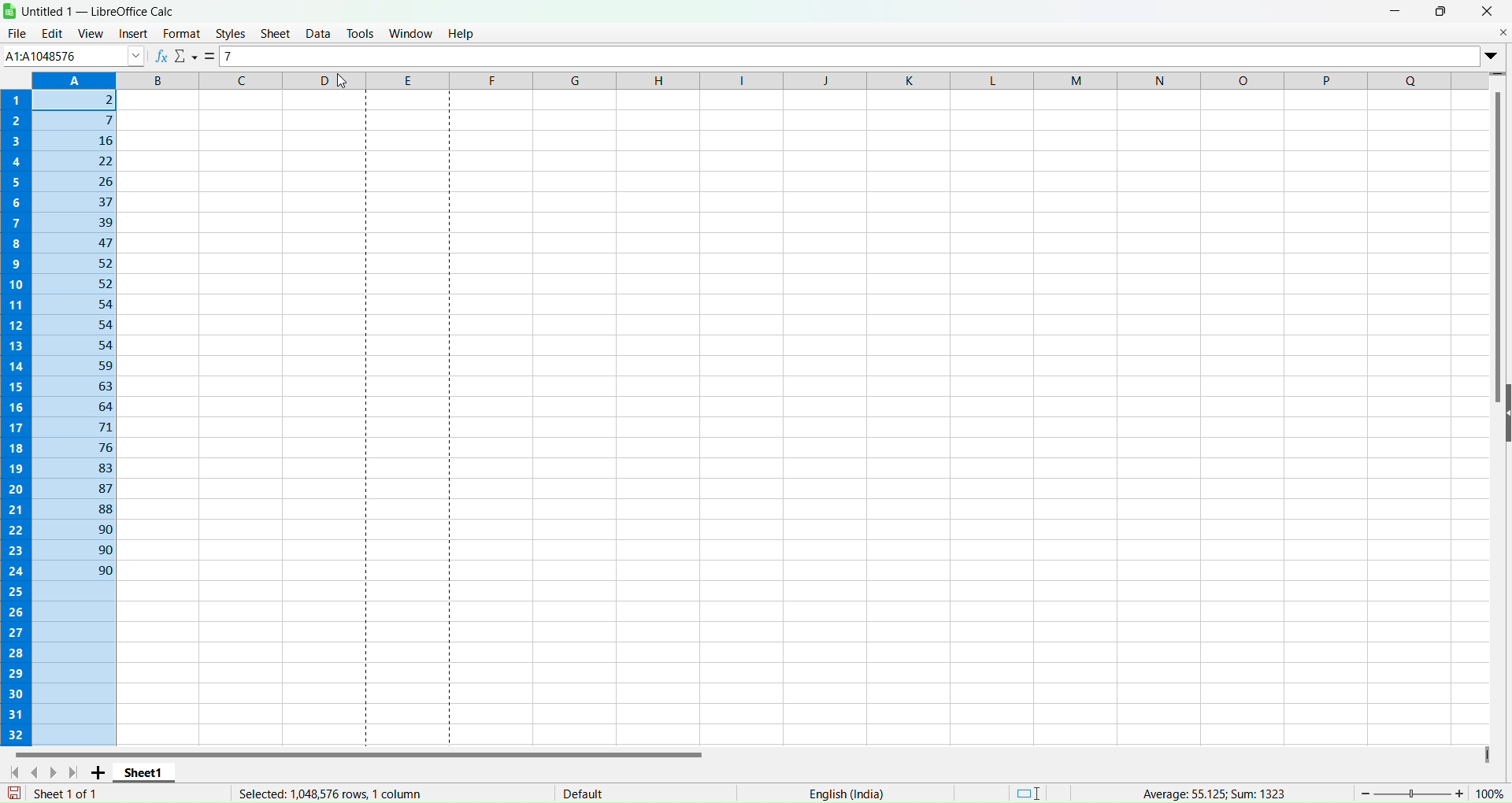  Describe the element at coordinates (231, 34) in the screenshot. I see `Styles` at that location.